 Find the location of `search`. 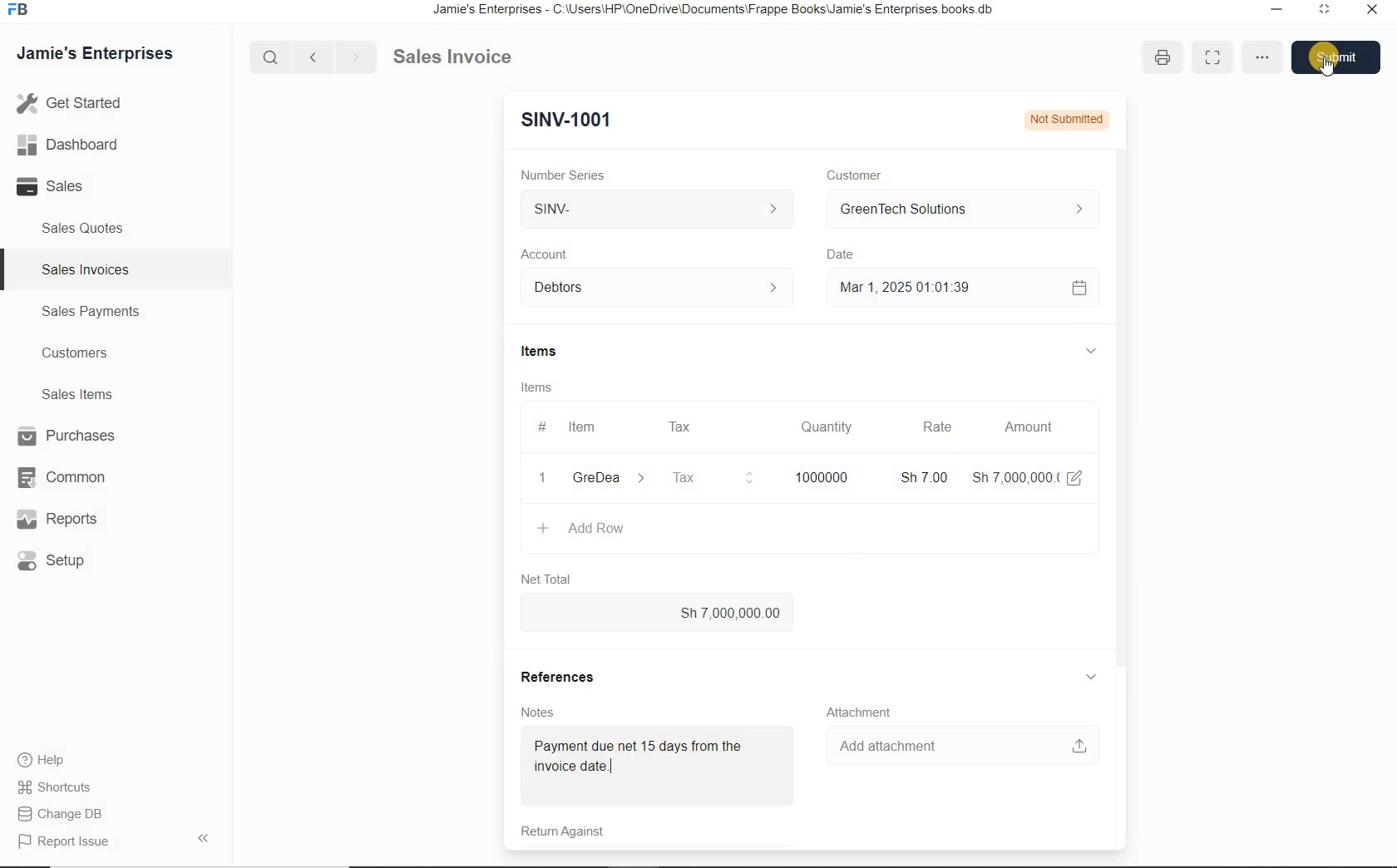

search is located at coordinates (274, 57).